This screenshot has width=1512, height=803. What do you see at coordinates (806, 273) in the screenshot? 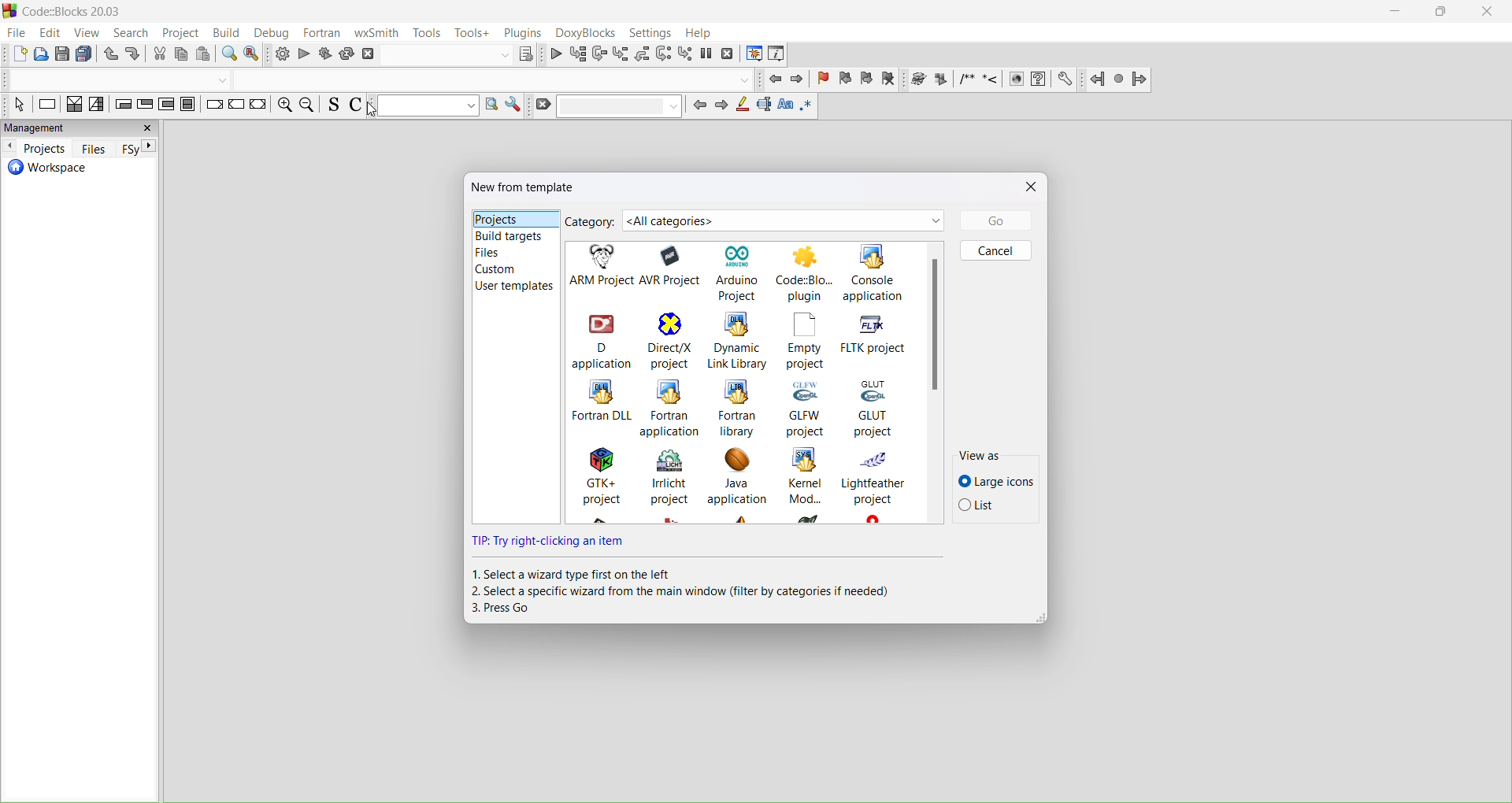
I see `code::blocks plugins` at bounding box center [806, 273].